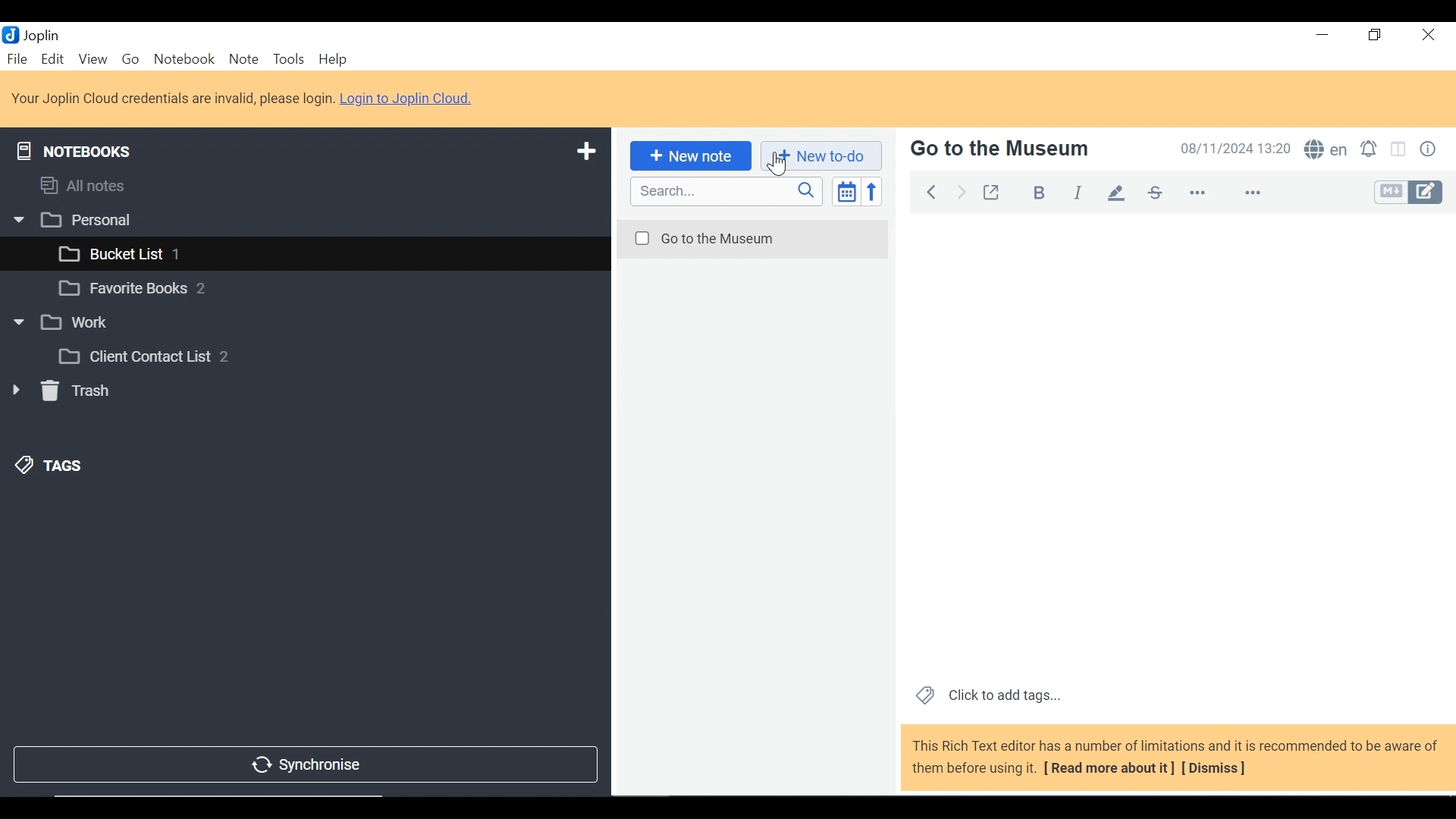 This screenshot has height=819, width=1456. Describe the element at coordinates (43, 35) in the screenshot. I see `Joplin` at that location.